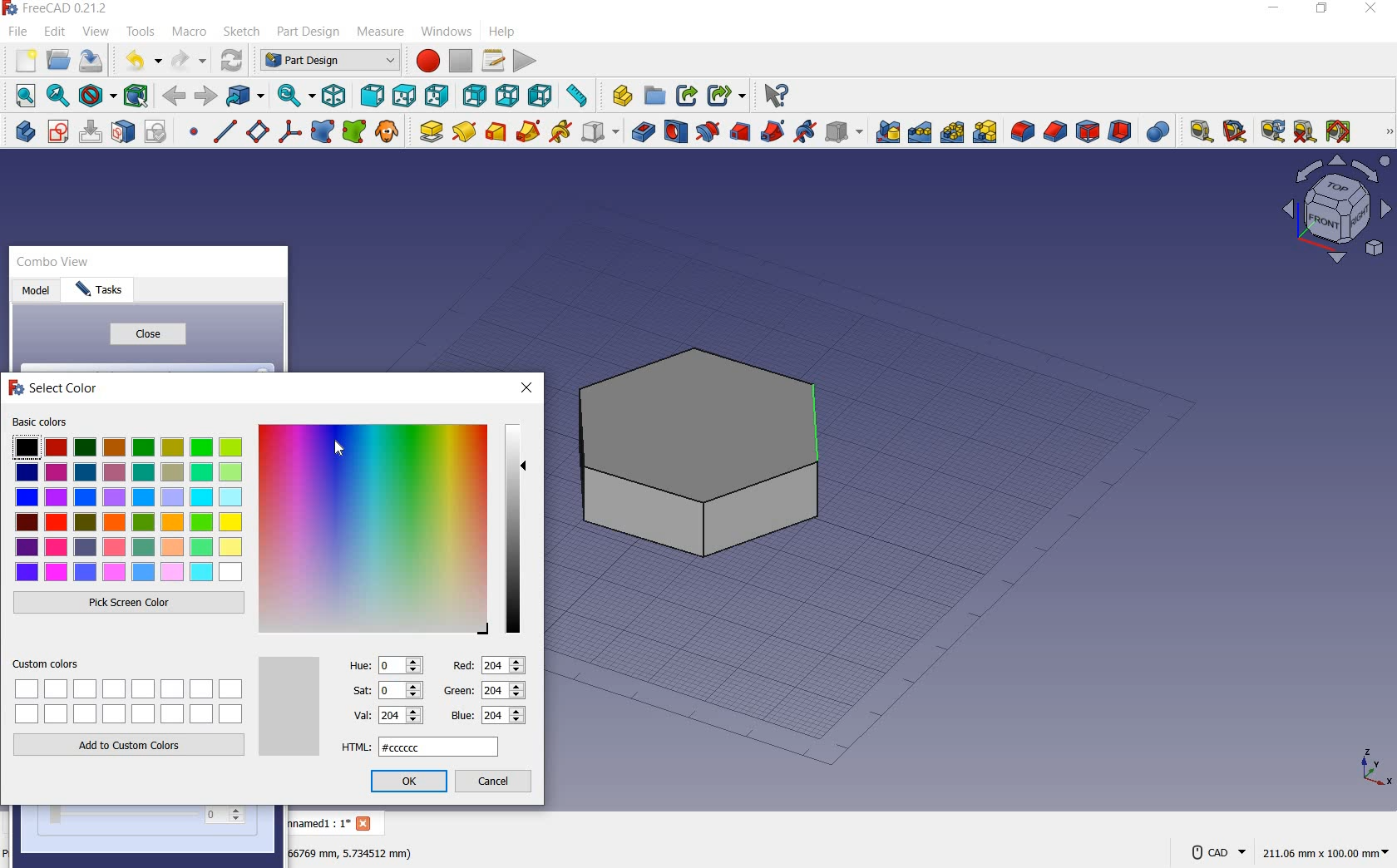  What do you see at coordinates (130, 604) in the screenshot?
I see `pick screen color` at bounding box center [130, 604].